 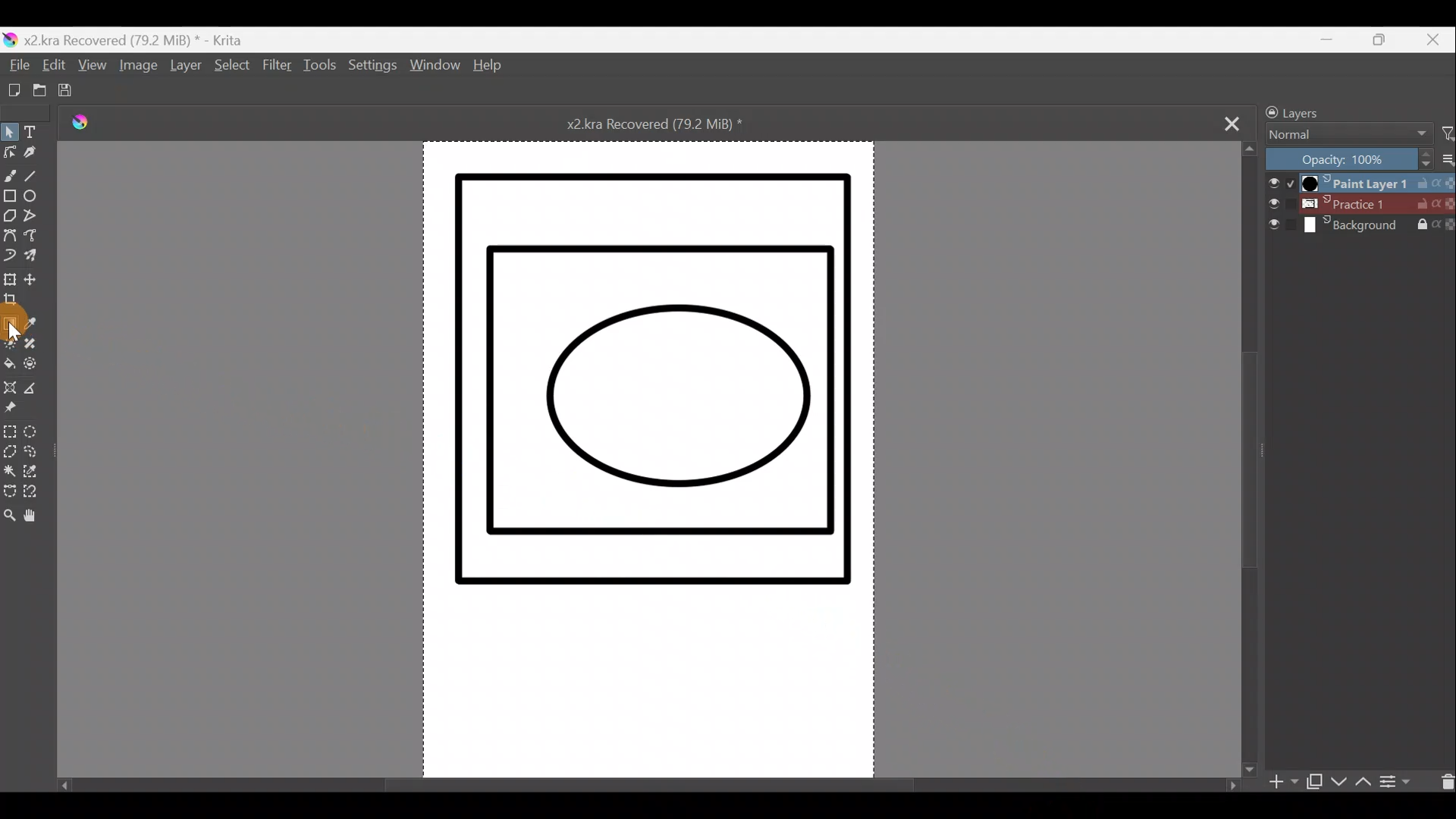 I want to click on Close tab, so click(x=1232, y=122).